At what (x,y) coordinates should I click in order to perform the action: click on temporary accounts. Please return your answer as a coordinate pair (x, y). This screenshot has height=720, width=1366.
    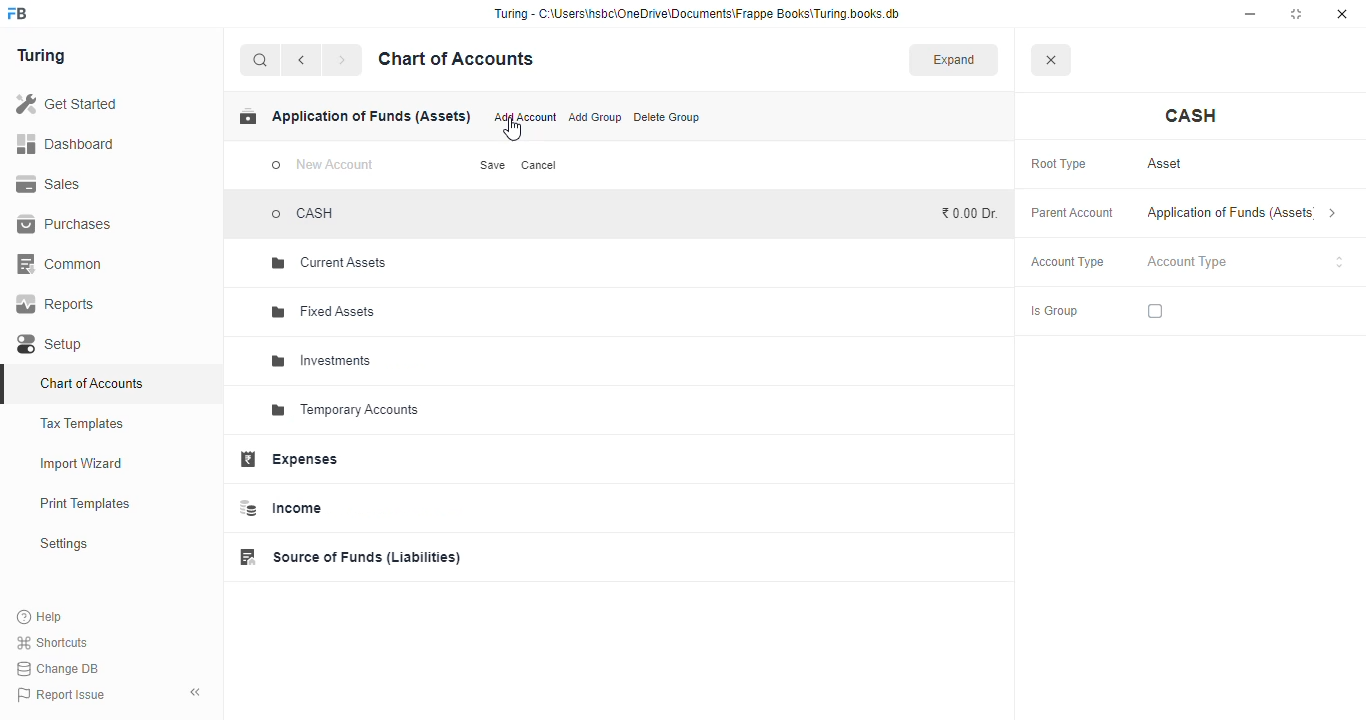
    Looking at the image, I should click on (344, 410).